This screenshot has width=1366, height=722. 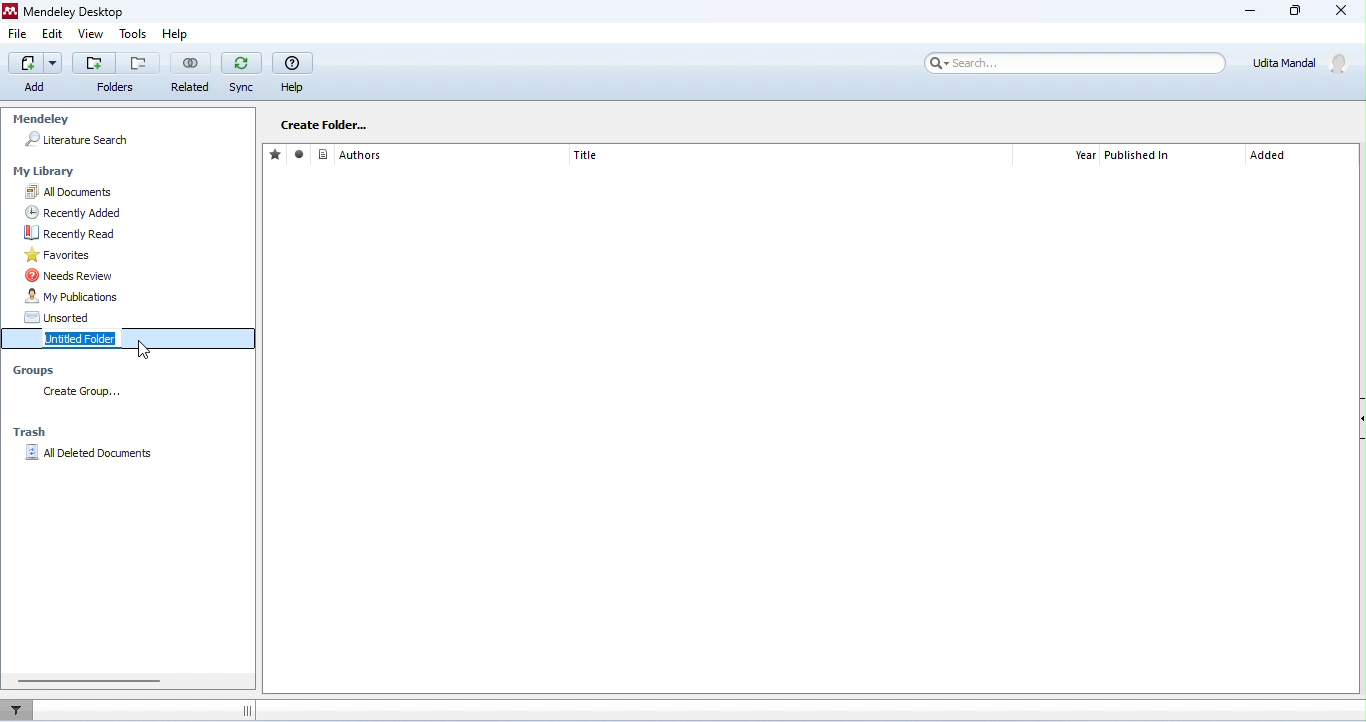 I want to click on search bar, so click(x=1073, y=63).